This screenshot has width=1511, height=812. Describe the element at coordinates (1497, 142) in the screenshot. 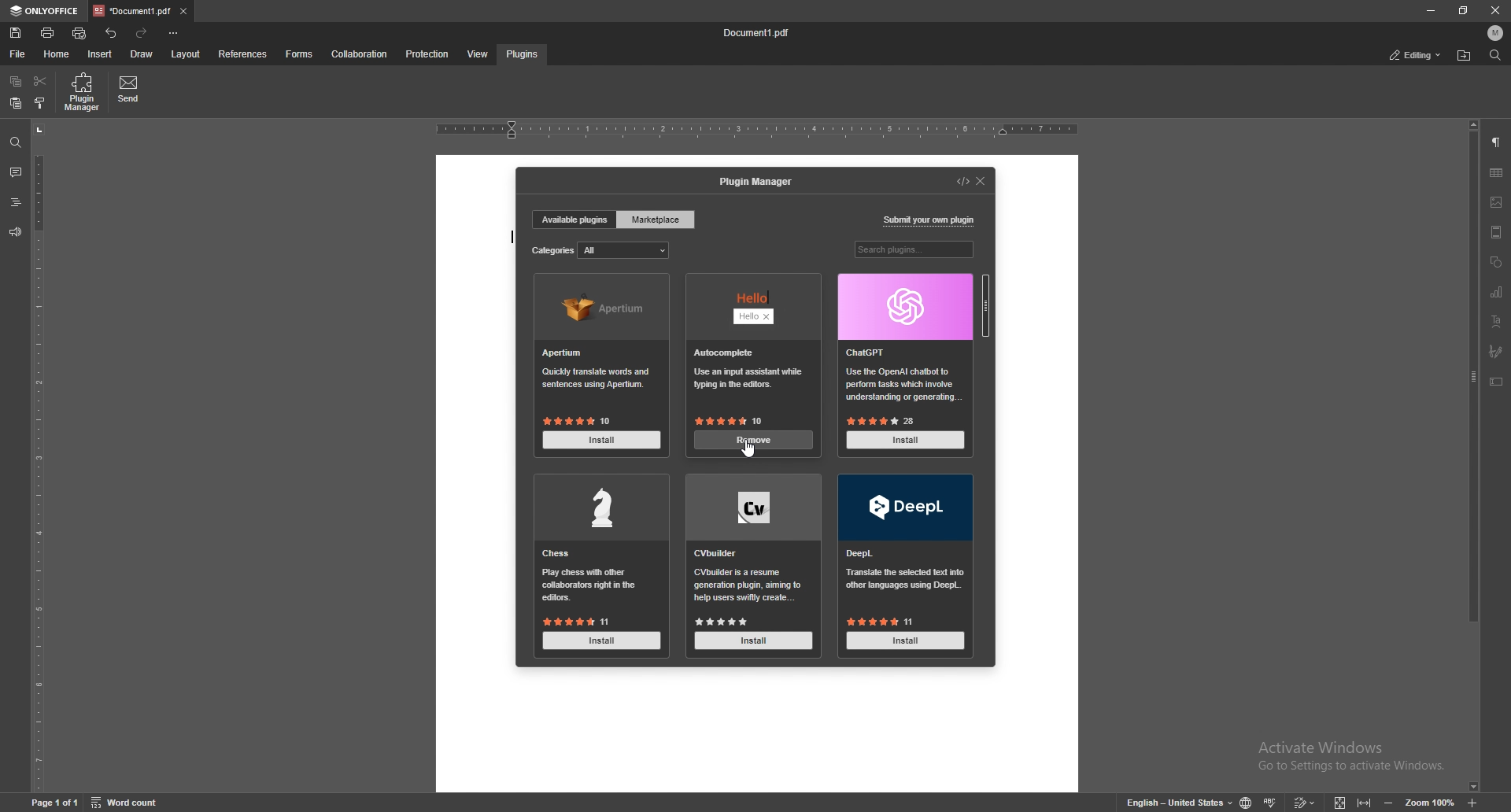

I see `paragraph` at that location.